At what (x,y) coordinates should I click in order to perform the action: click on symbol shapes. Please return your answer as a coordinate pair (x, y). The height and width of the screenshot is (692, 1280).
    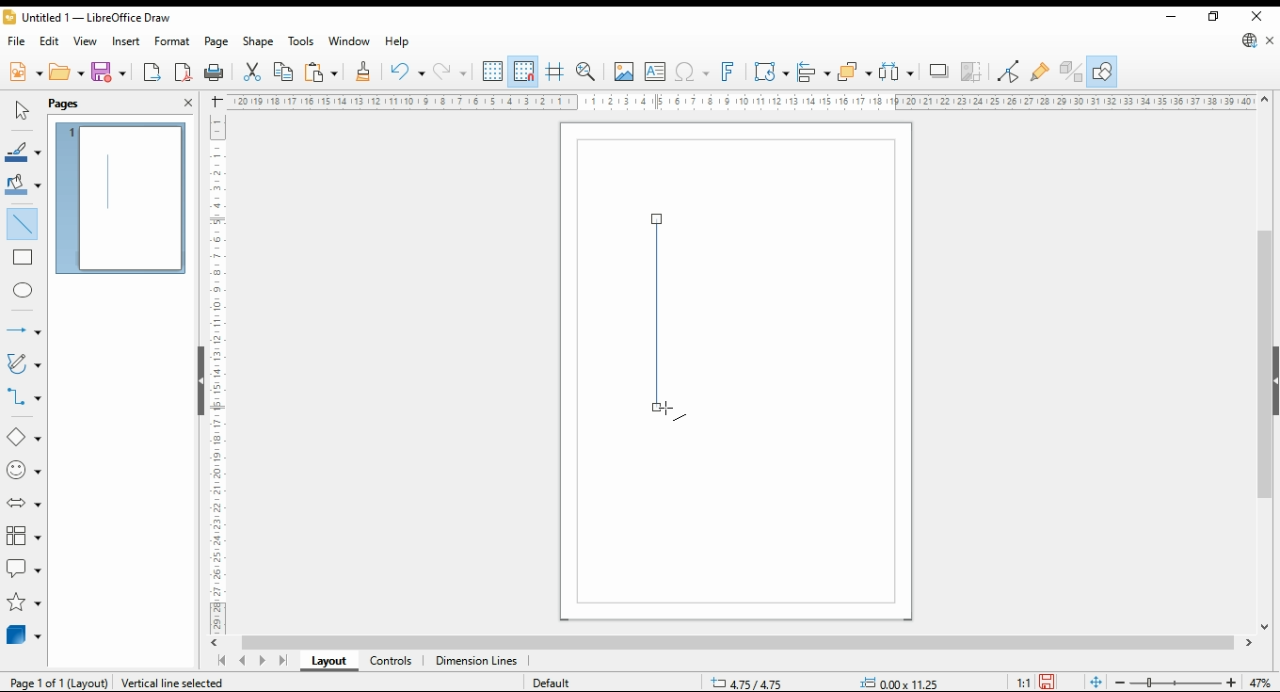
    Looking at the image, I should click on (23, 471).